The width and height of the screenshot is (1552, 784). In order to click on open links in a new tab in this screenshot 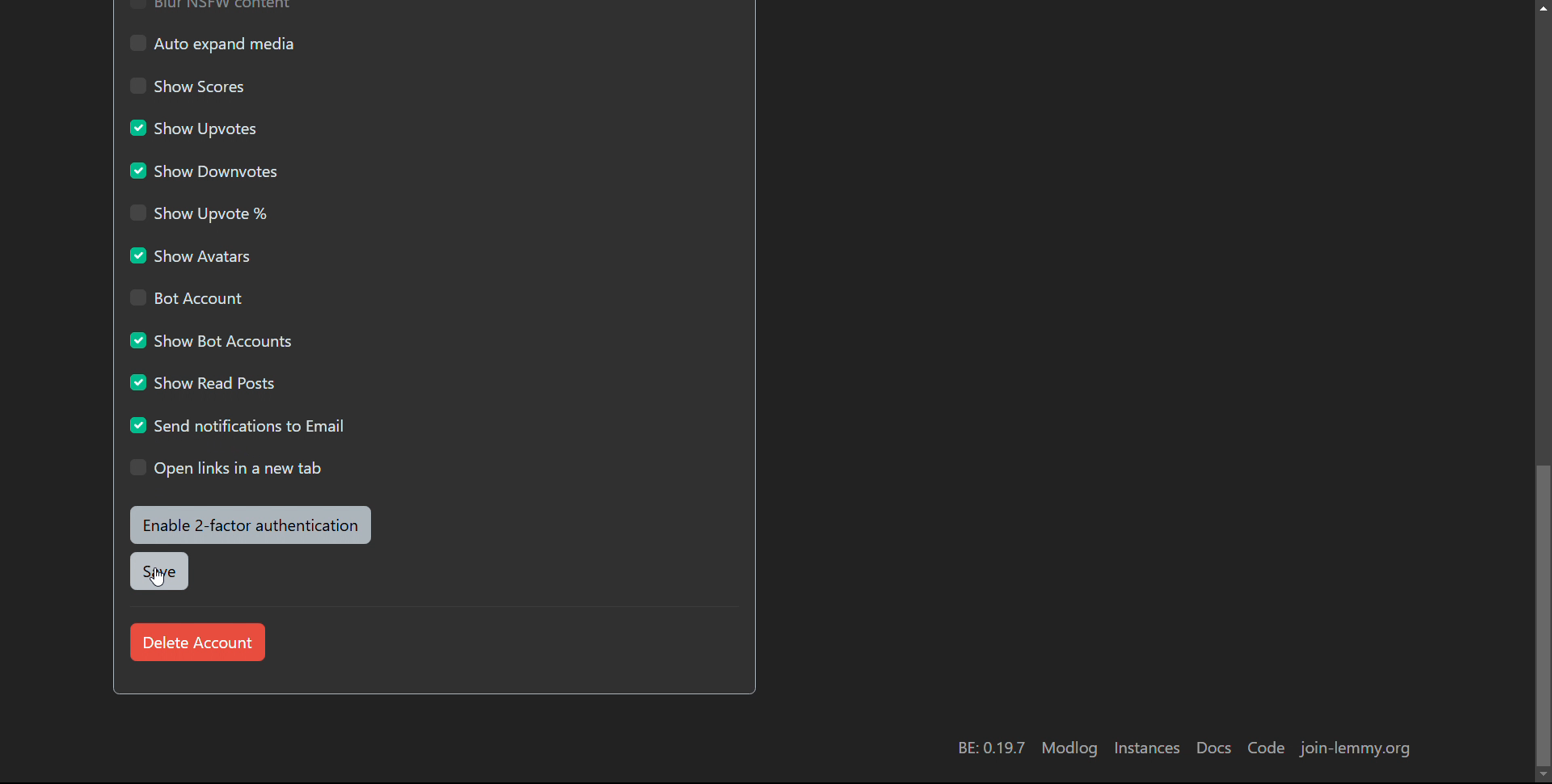, I will do `click(227, 468)`.